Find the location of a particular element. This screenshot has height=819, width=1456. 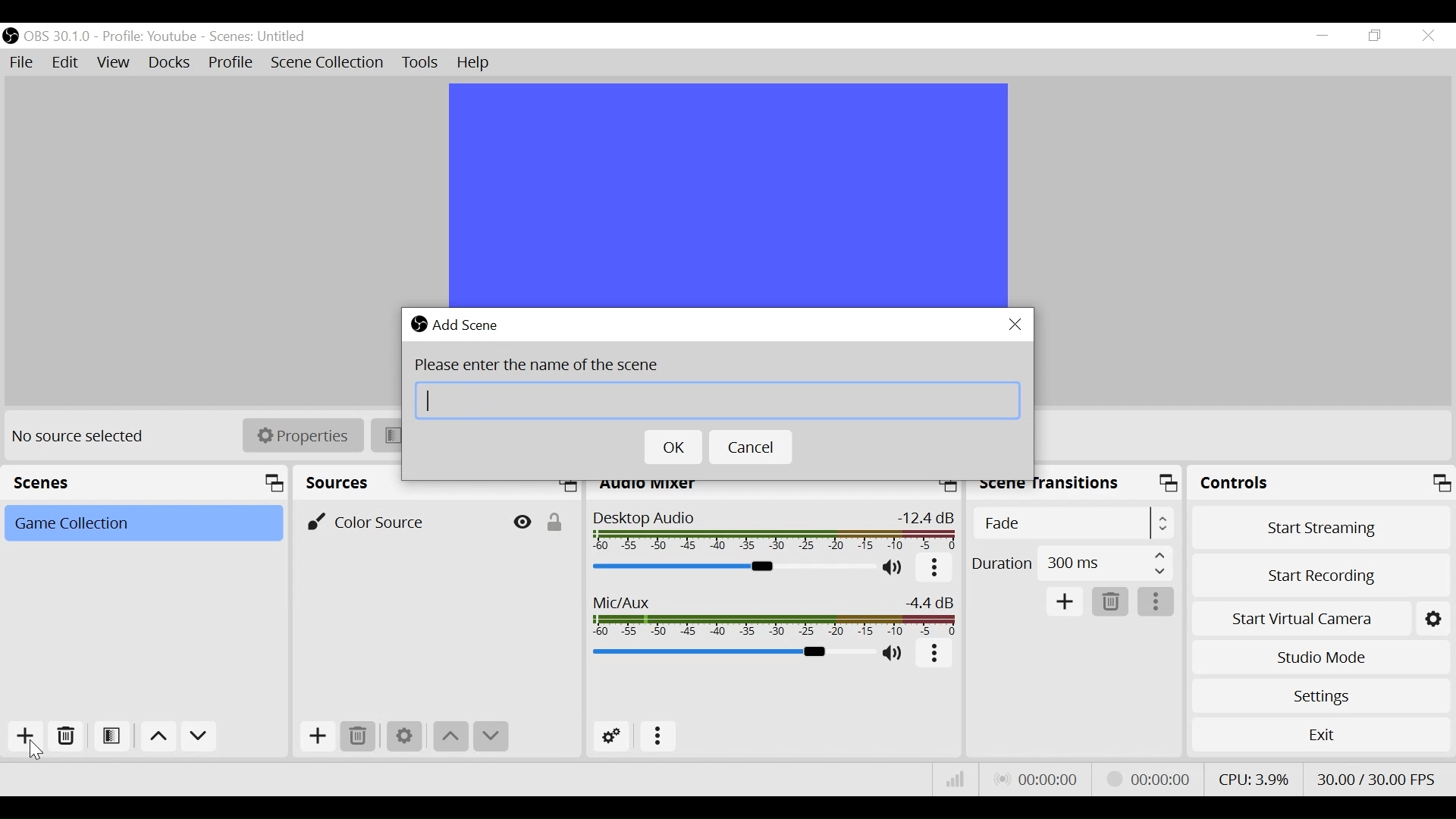

Tools is located at coordinates (420, 63).